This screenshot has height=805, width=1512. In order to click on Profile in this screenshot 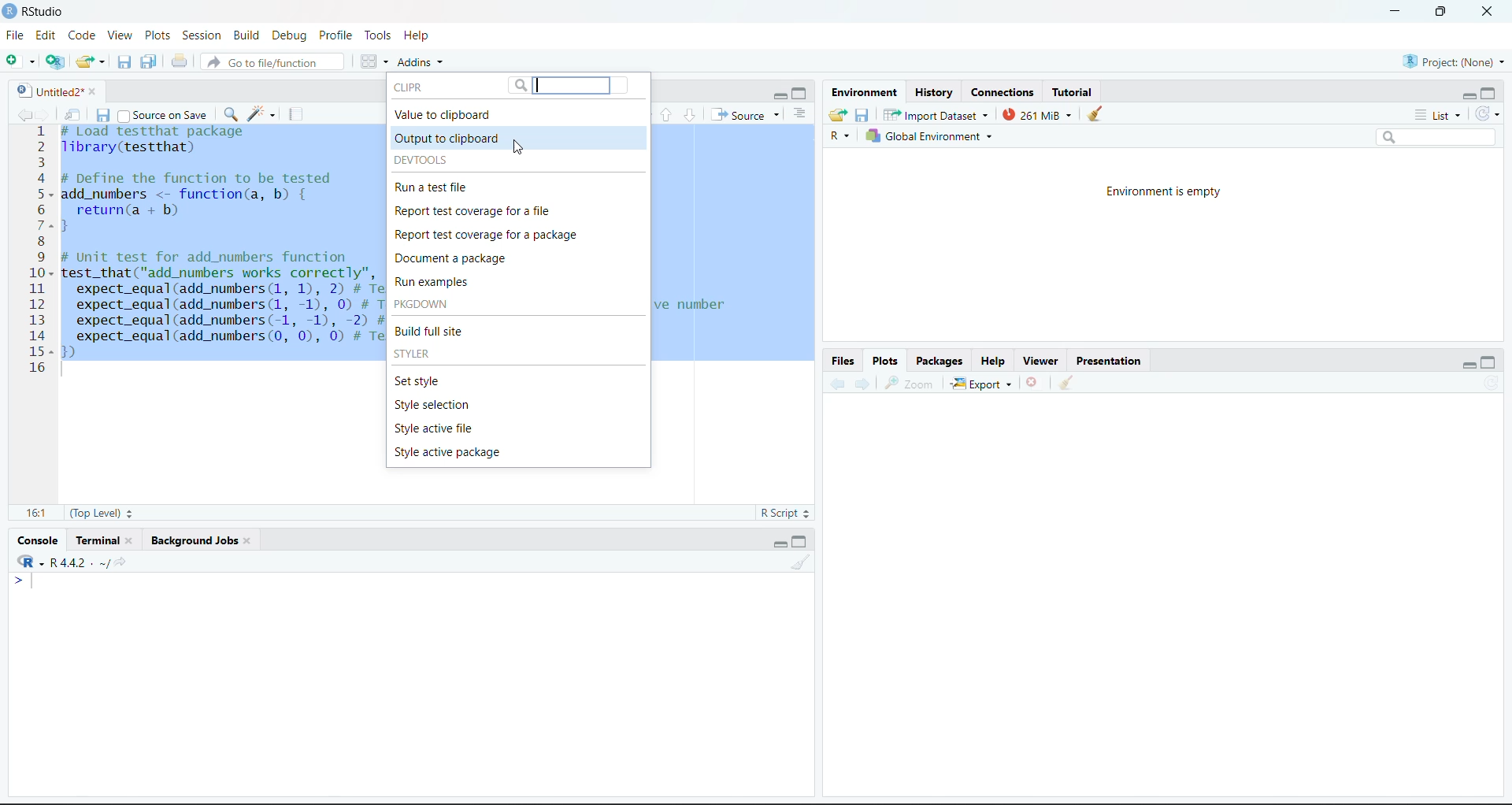, I will do `click(334, 35)`.